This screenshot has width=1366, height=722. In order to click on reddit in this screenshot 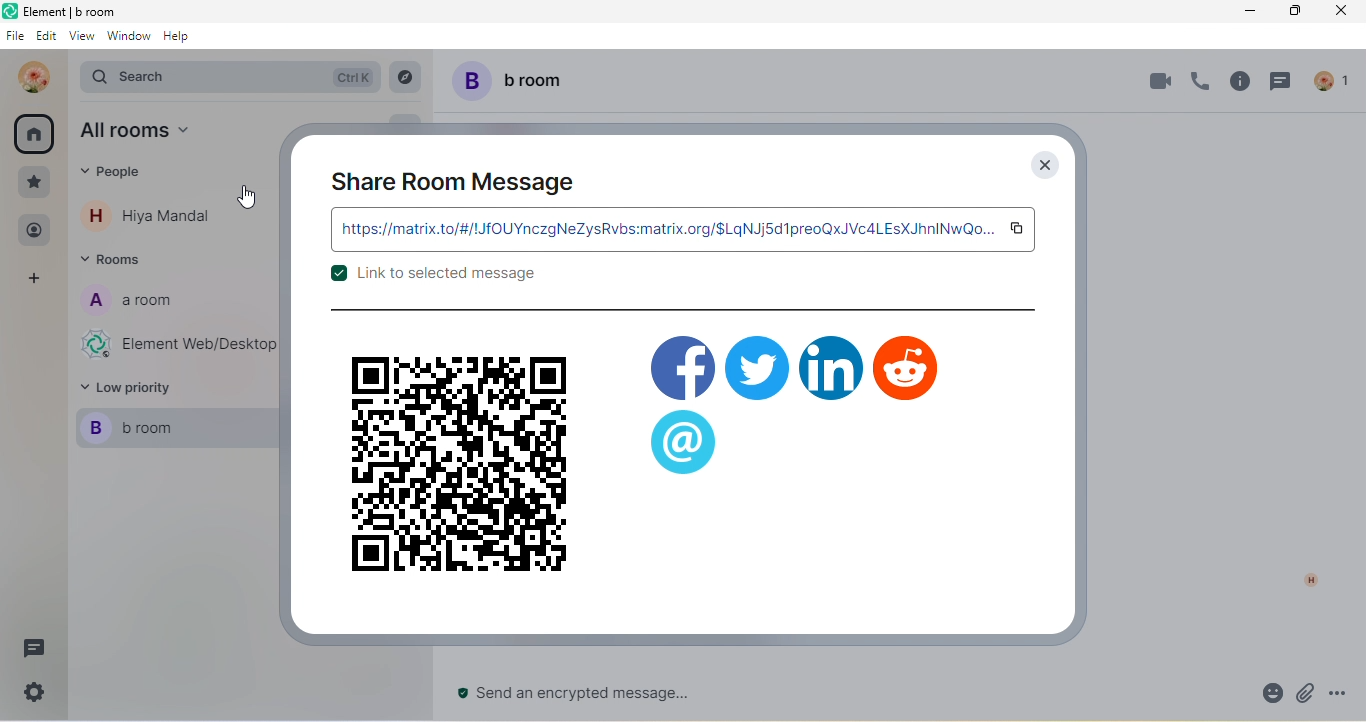, I will do `click(907, 367)`.